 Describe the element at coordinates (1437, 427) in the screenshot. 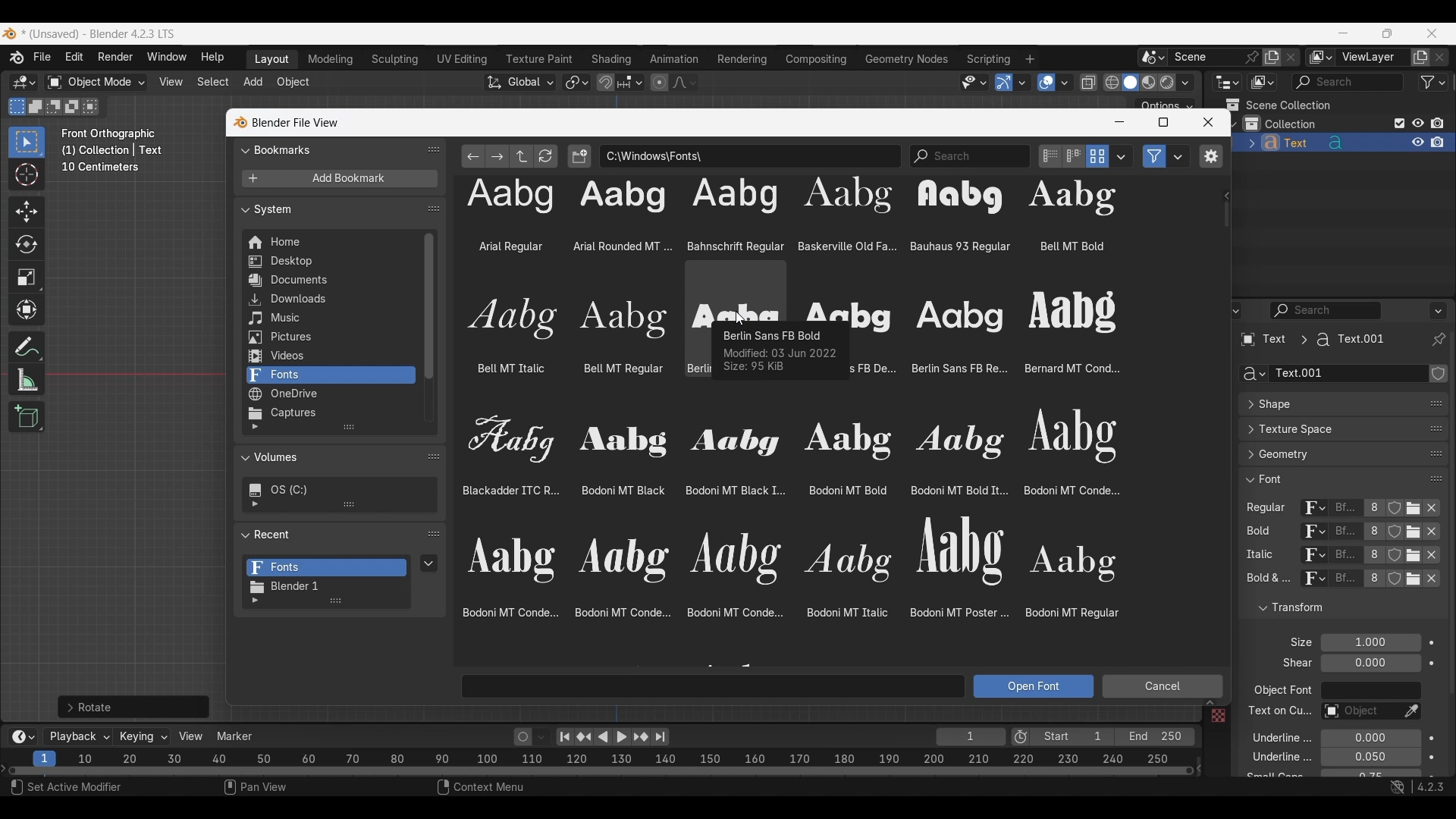

I see `change position` at that location.